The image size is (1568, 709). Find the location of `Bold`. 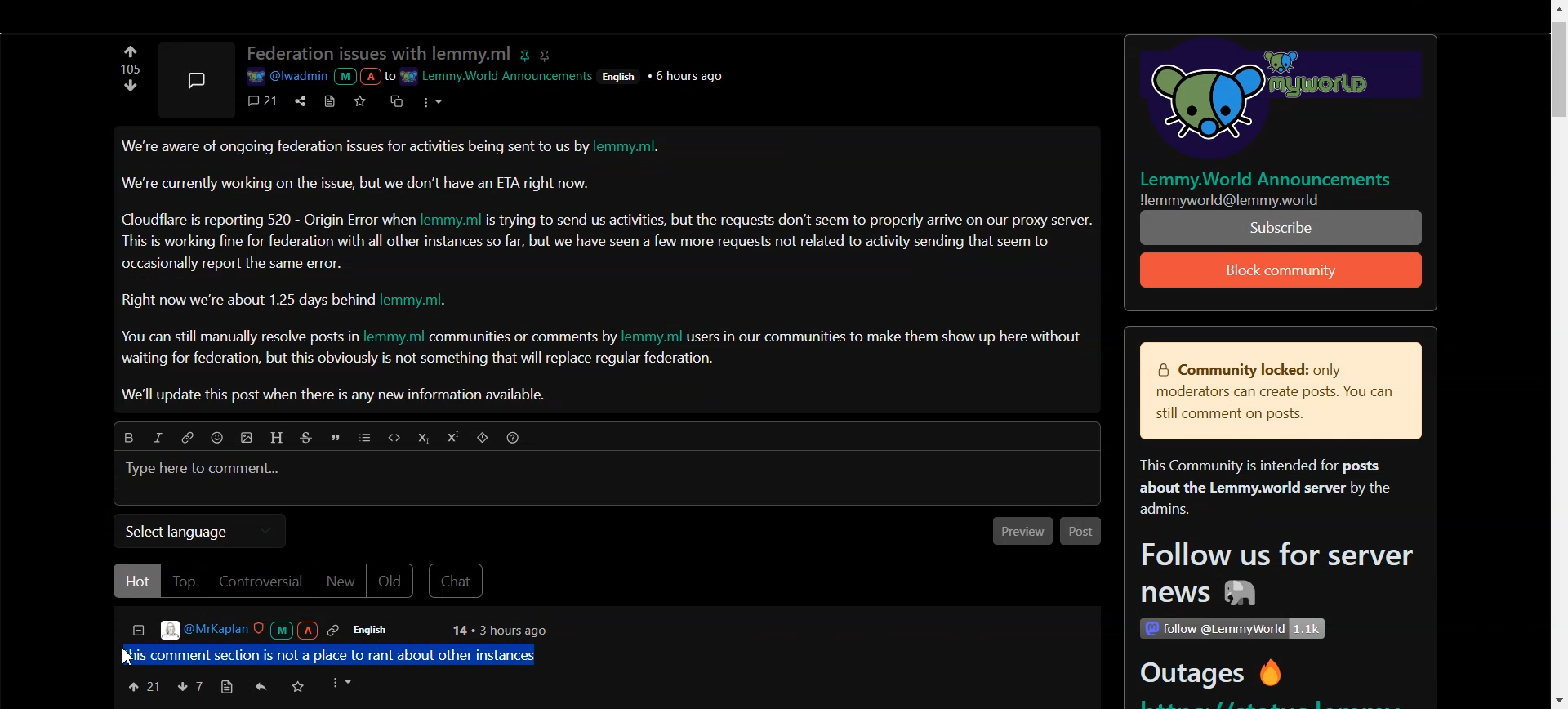

Bold is located at coordinates (124, 435).